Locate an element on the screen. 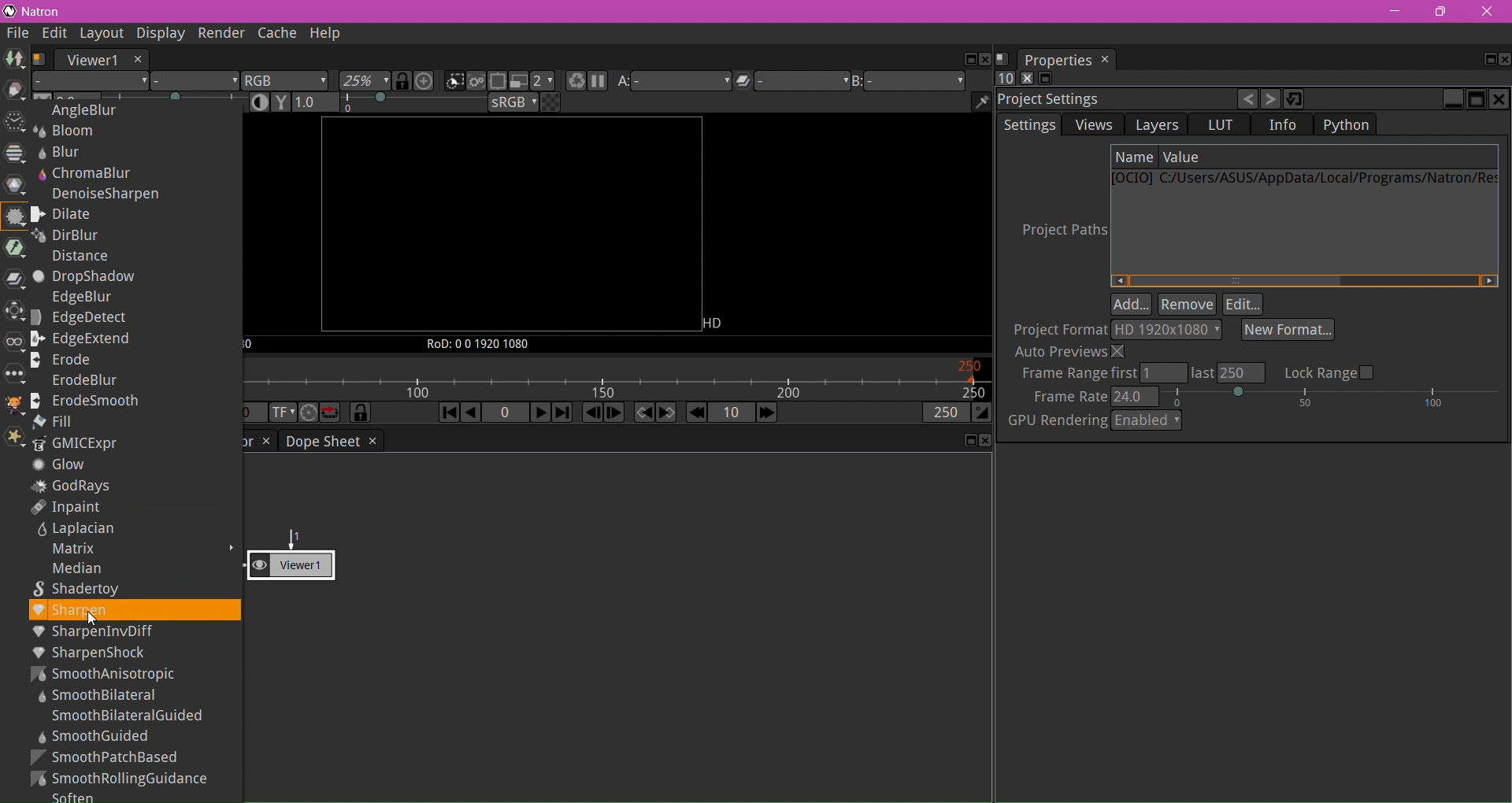 The width and height of the screenshot is (1512, 803). Viewer gamma correction level is located at coordinates (390, 103).